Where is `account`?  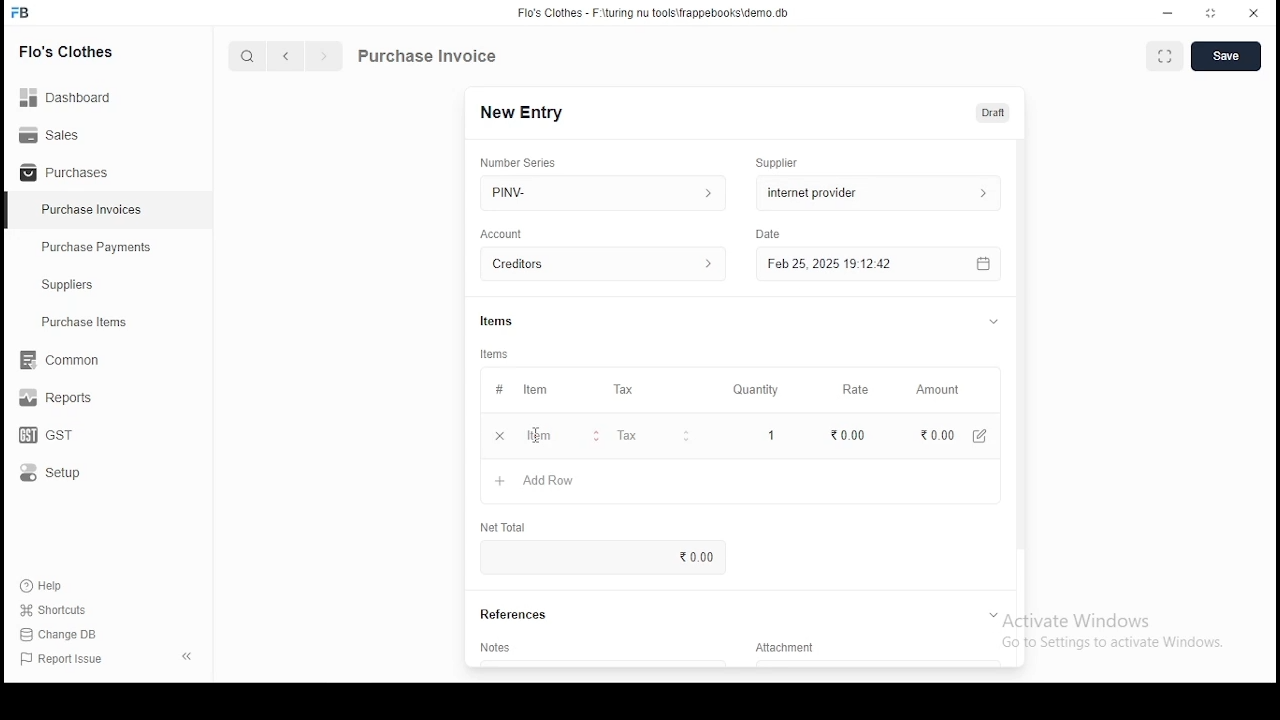 account is located at coordinates (604, 265).